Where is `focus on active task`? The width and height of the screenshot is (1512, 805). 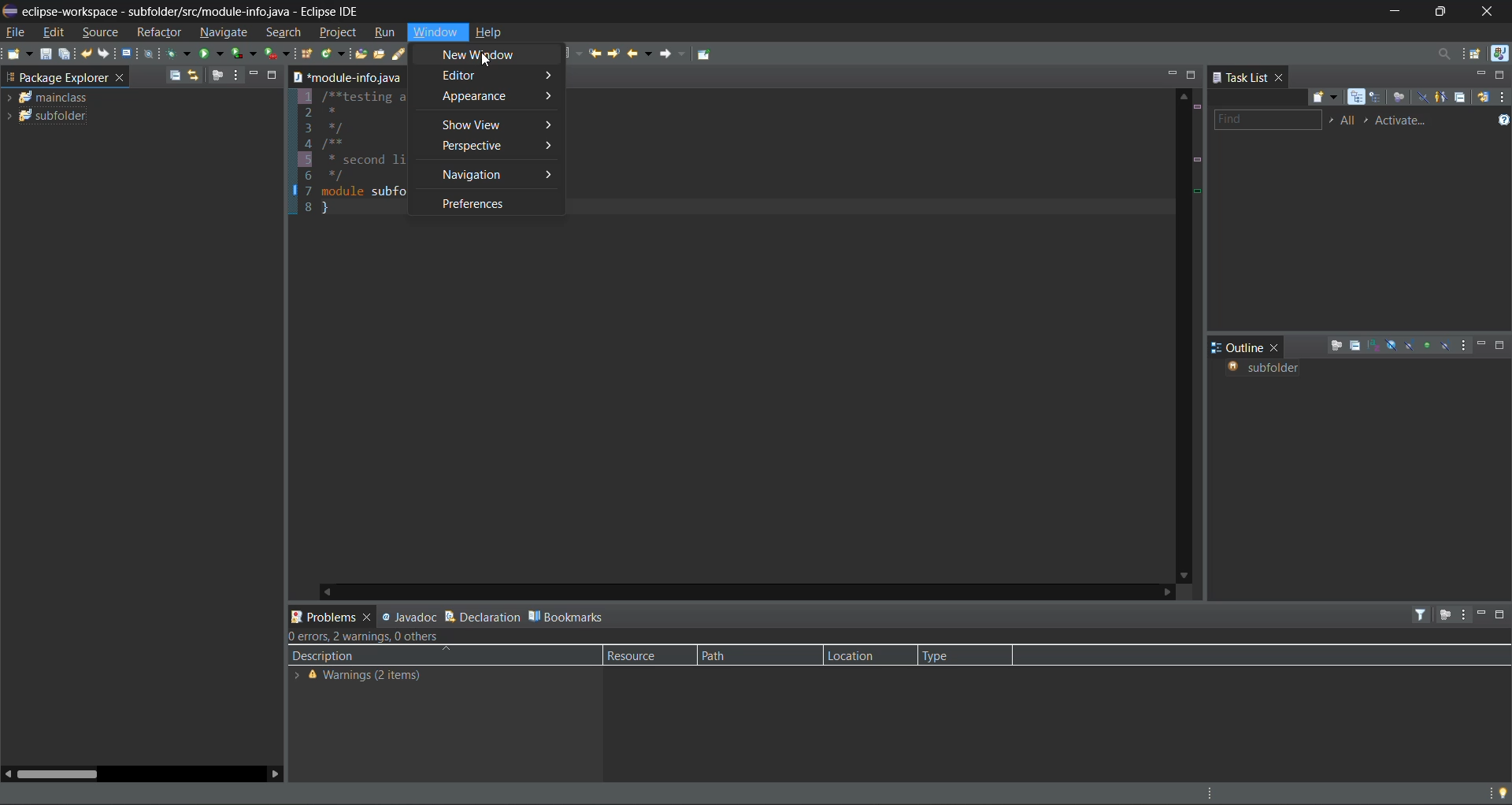
focus on active task is located at coordinates (1334, 347).